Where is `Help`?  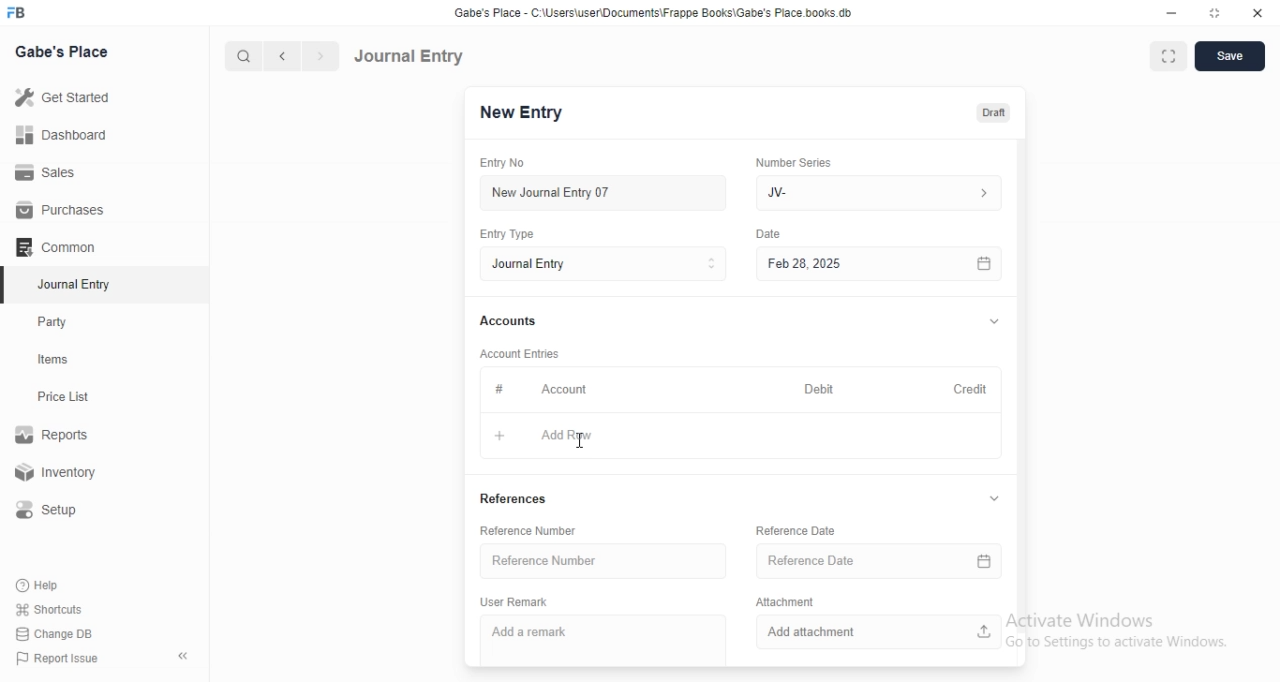 Help is located at coordinates (41, 585).